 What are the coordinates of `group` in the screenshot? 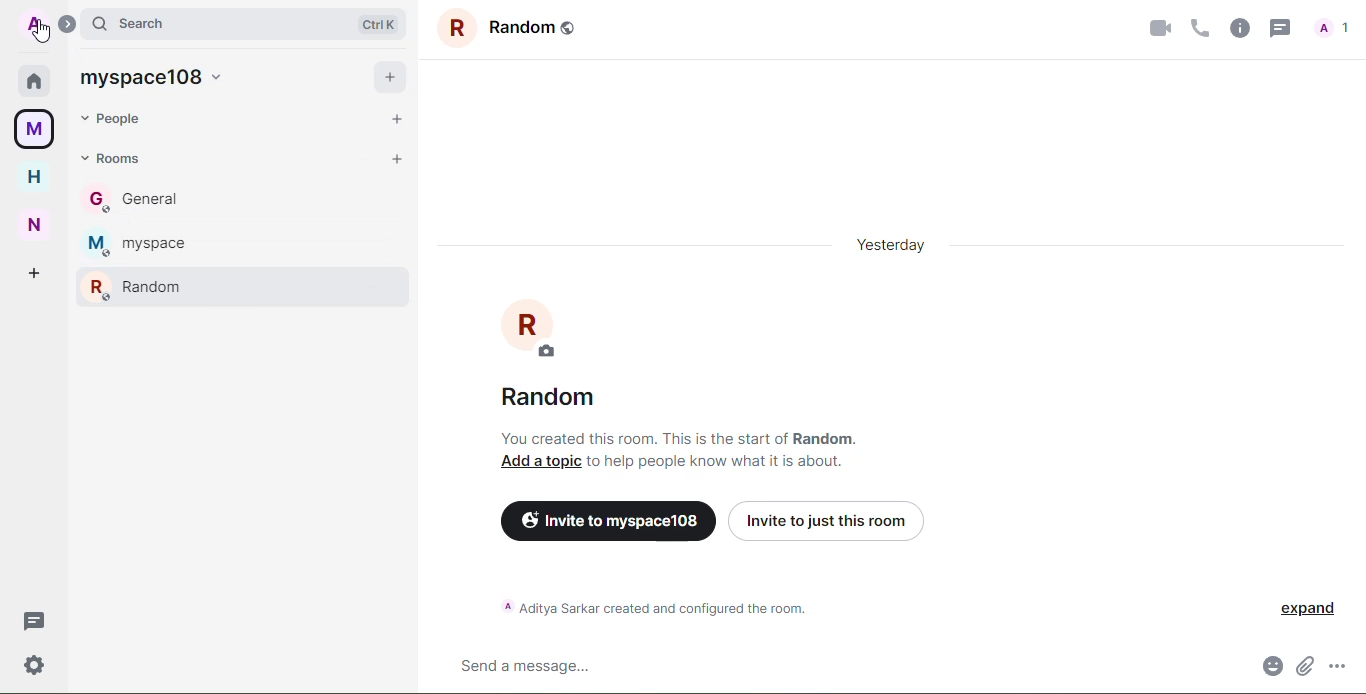 It's located at (502, 28).